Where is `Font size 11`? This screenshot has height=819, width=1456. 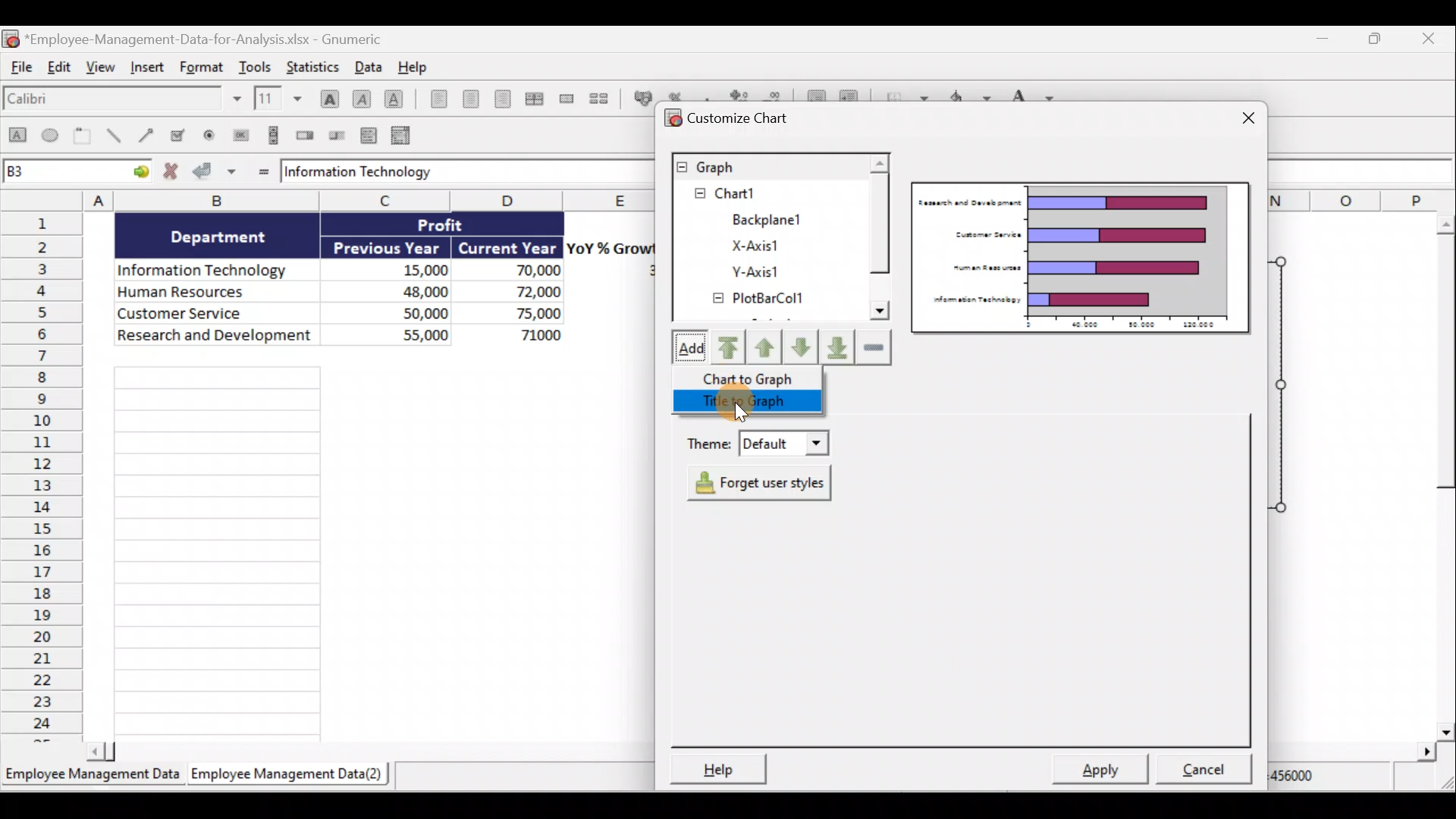 Font size 11 is located at coordinates (276, 98).